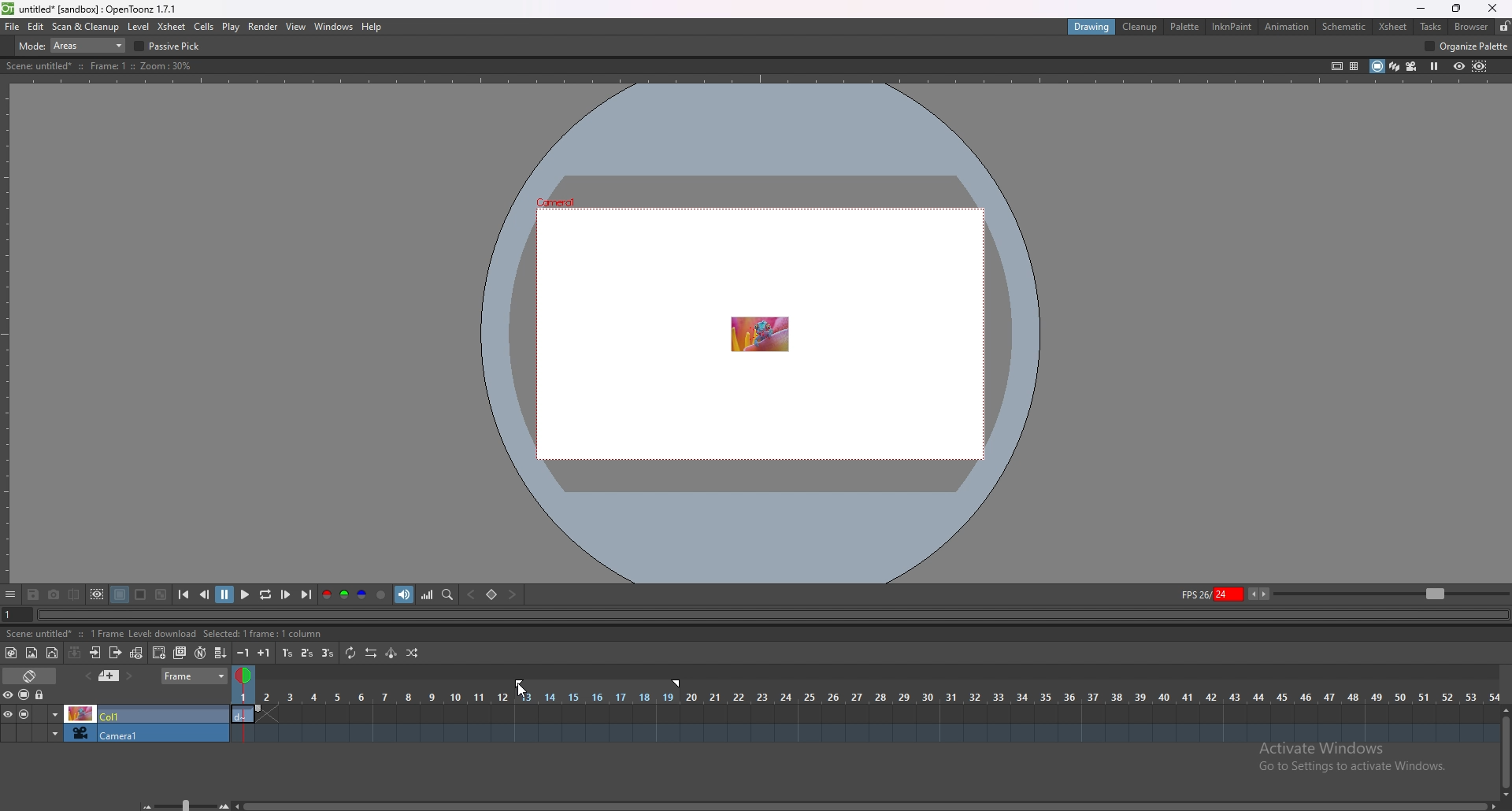 This screenshot has height=811, width=1512. I want to click on loop, so click(266, 594).